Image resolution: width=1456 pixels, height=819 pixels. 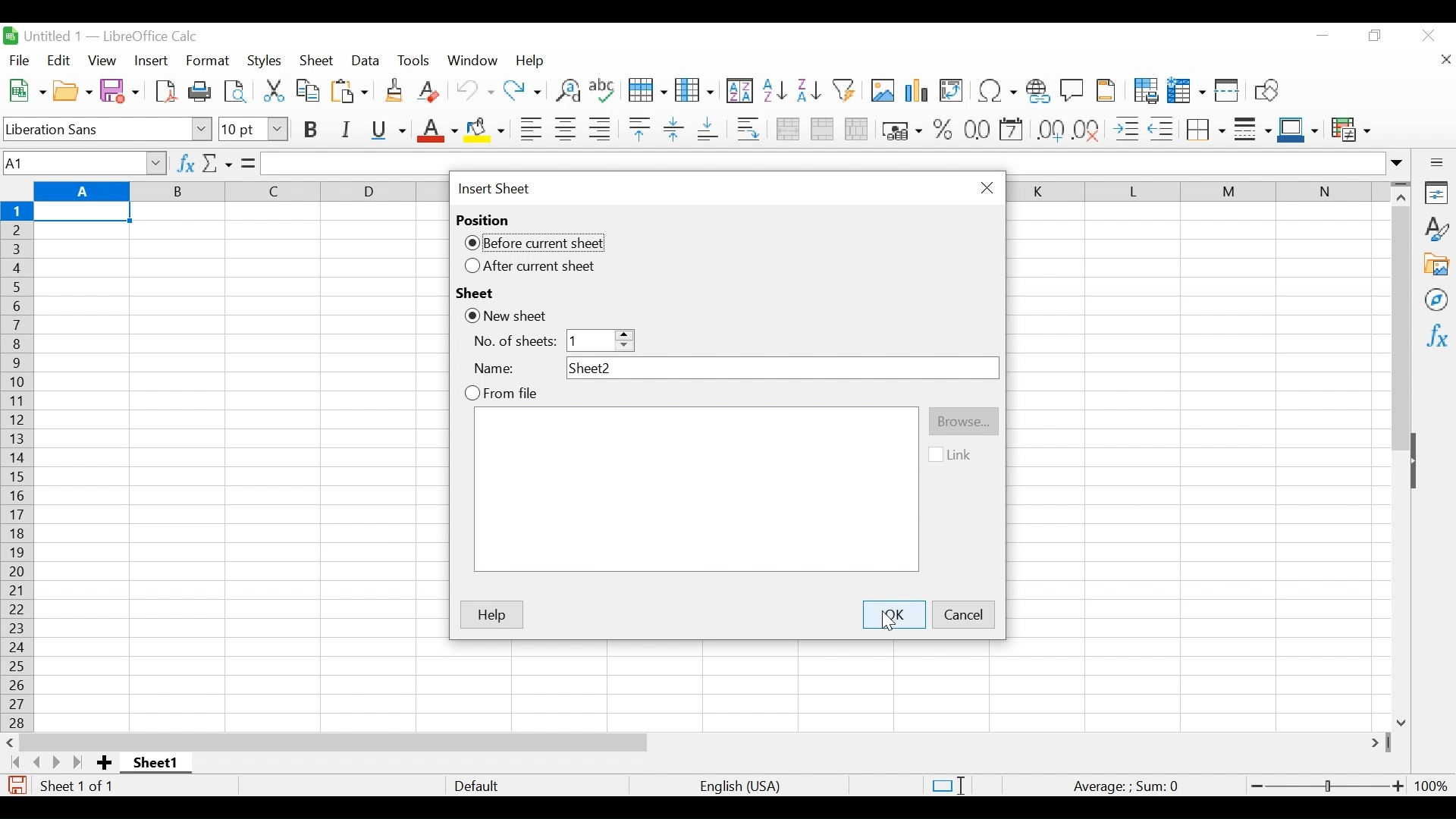 What do you see at coordinates (474, 90) in the screenshot?
I see `Undo` at bounding box center [474, 90].